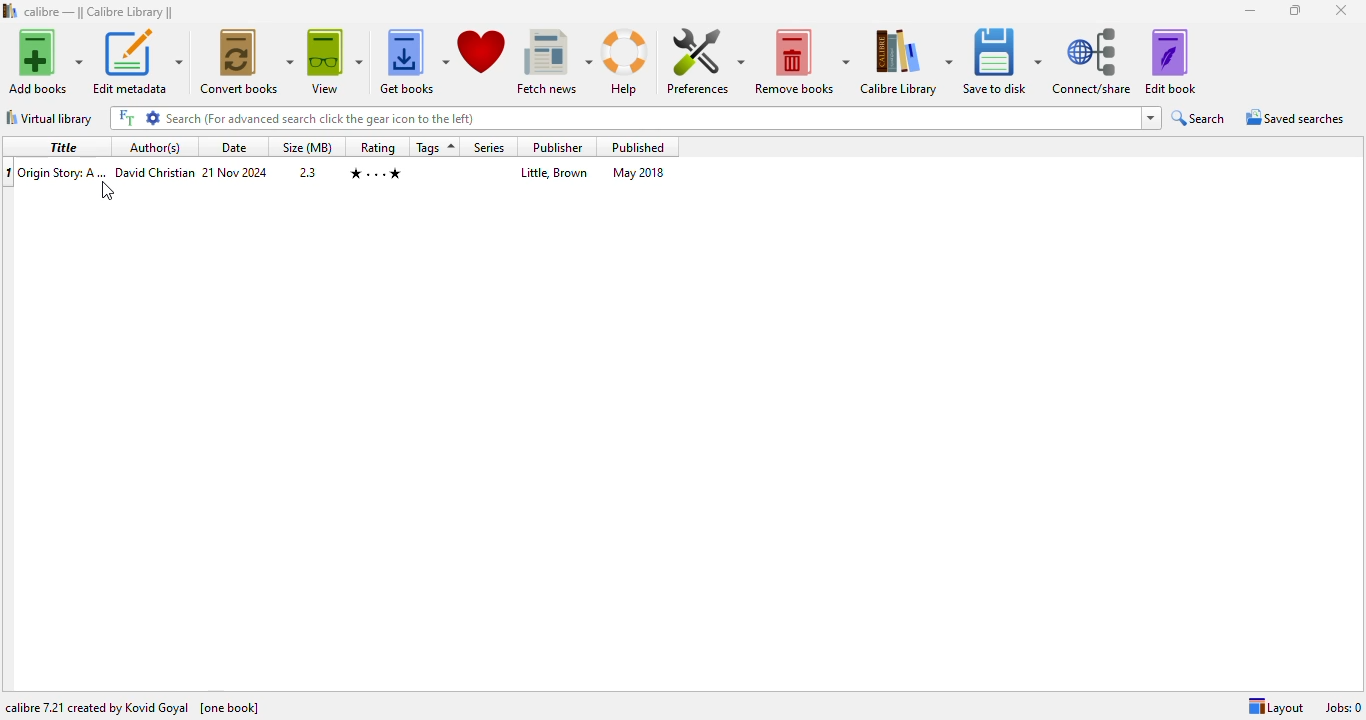  I want to click on help, so click(625, 61).